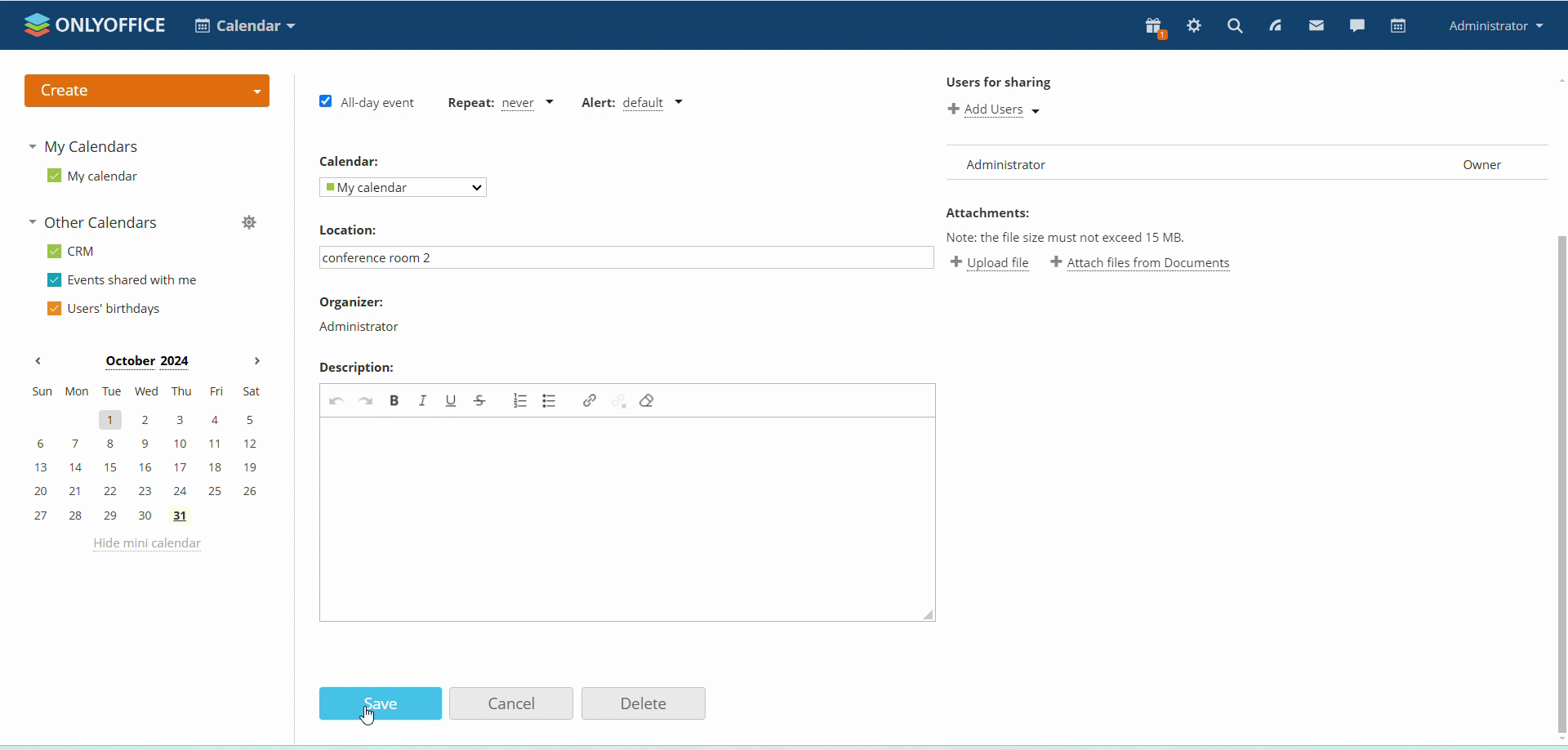 This screenshot has height=750, width=1568. Describe the element at coordinates (357, 370) in the screenshot. I see `Description:` at that location.